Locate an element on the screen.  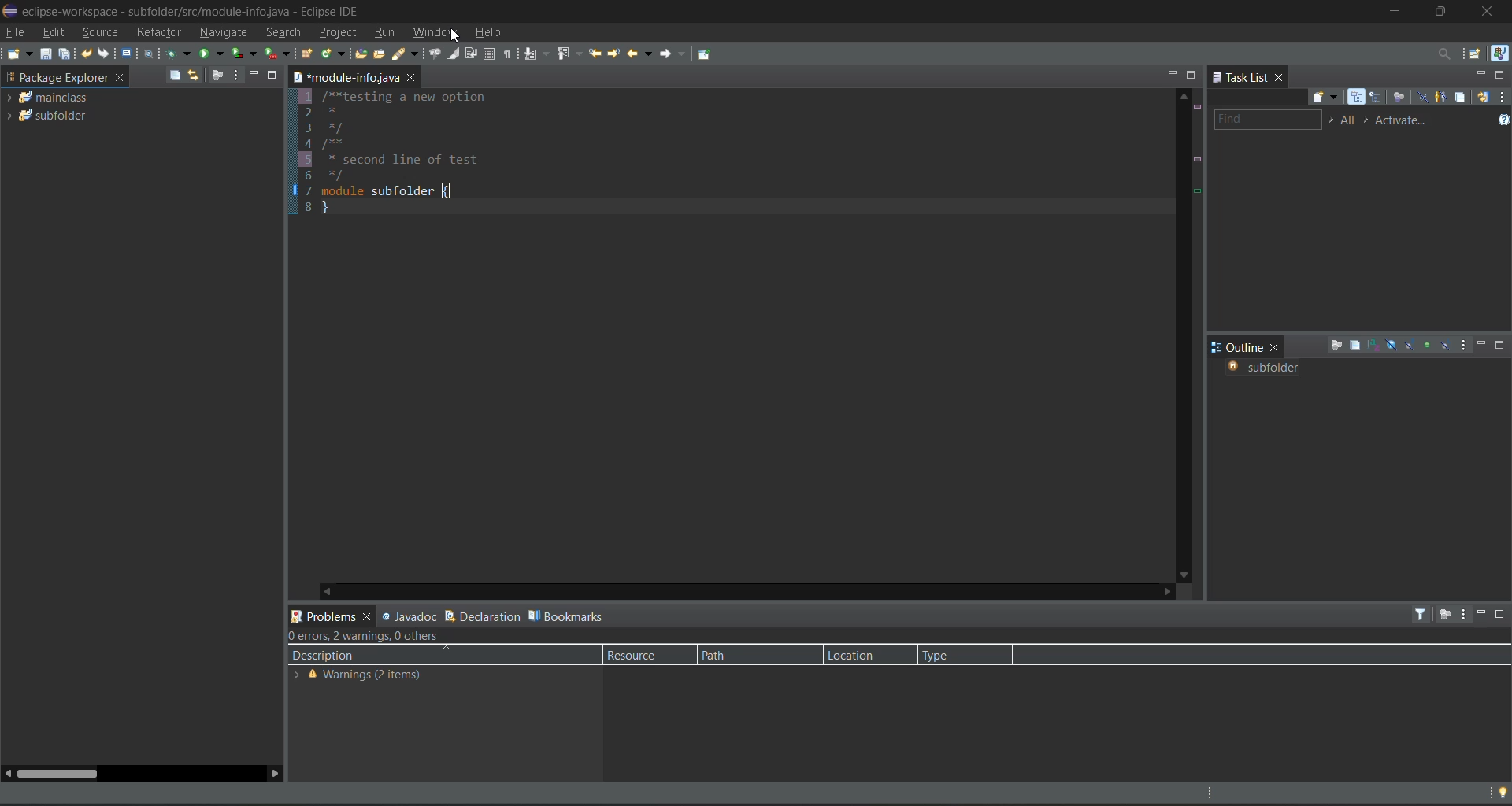
open task is located at coordinates (383, 54).